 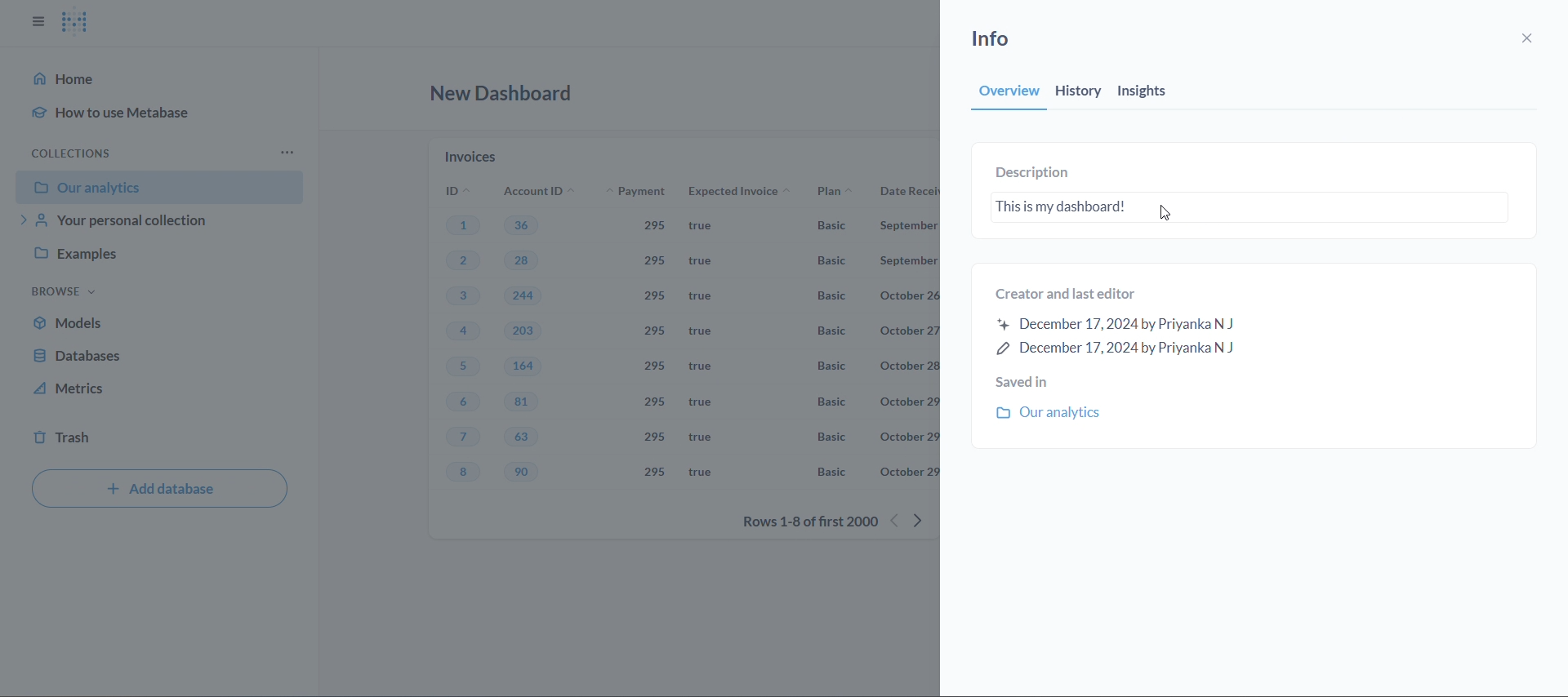 I want to click on 295, so click(x=657, y=402).